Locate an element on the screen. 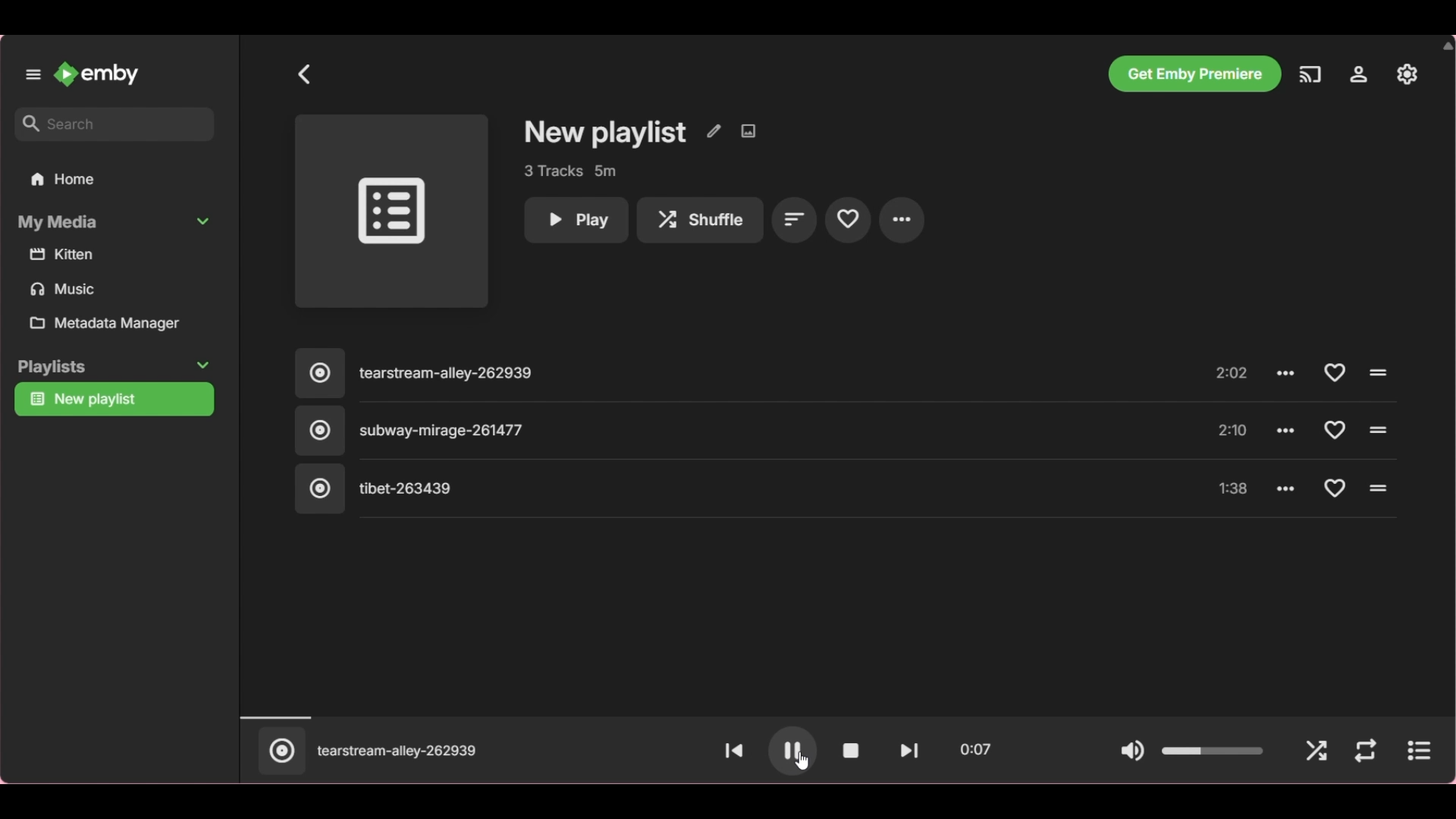 The image size is (1456, 819). Duration of music played changed is located at coordinates (843, 717).